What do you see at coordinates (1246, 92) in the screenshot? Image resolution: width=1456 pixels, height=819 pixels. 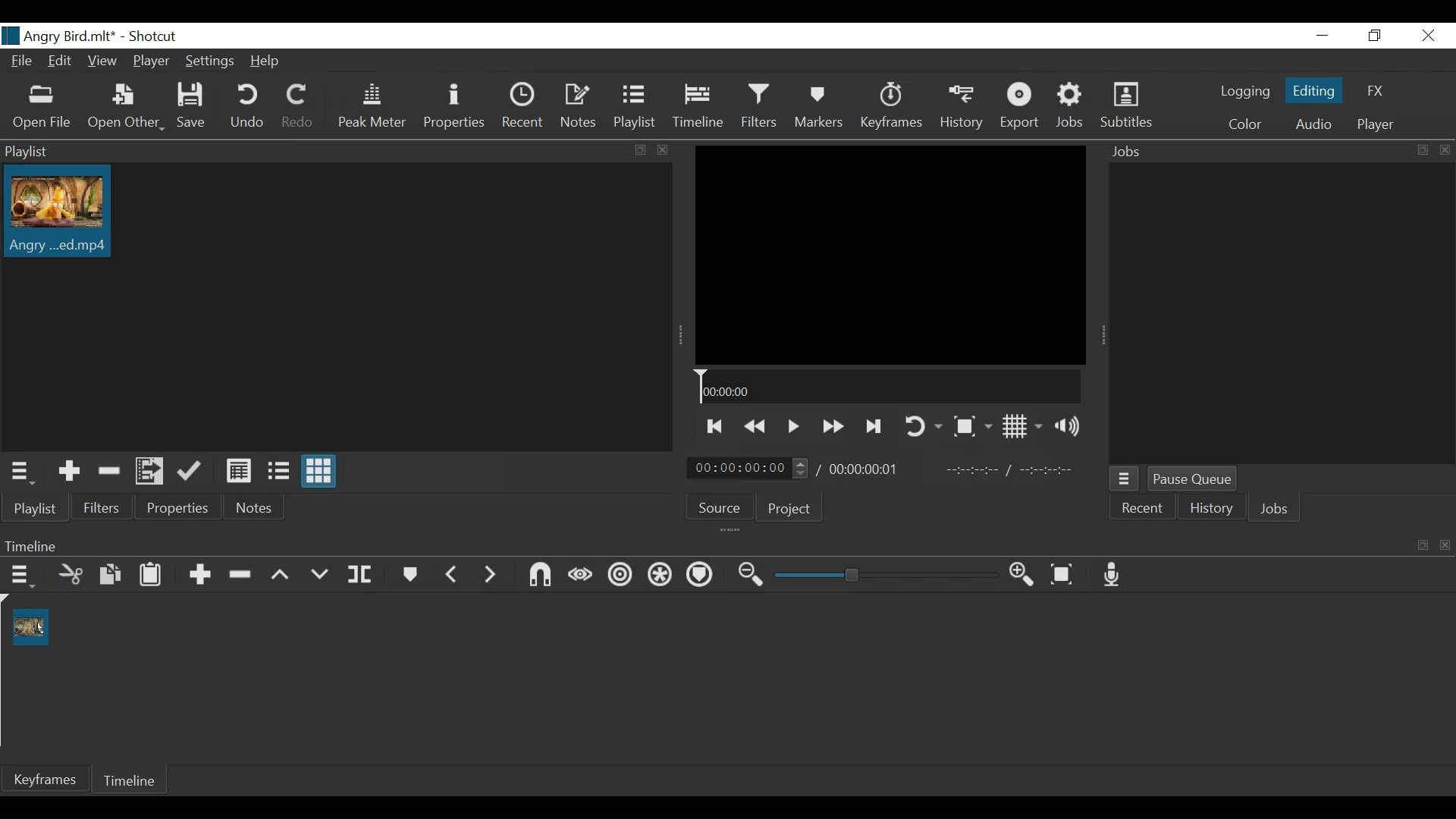 I see `logging` at bounding box center [1246, 92].